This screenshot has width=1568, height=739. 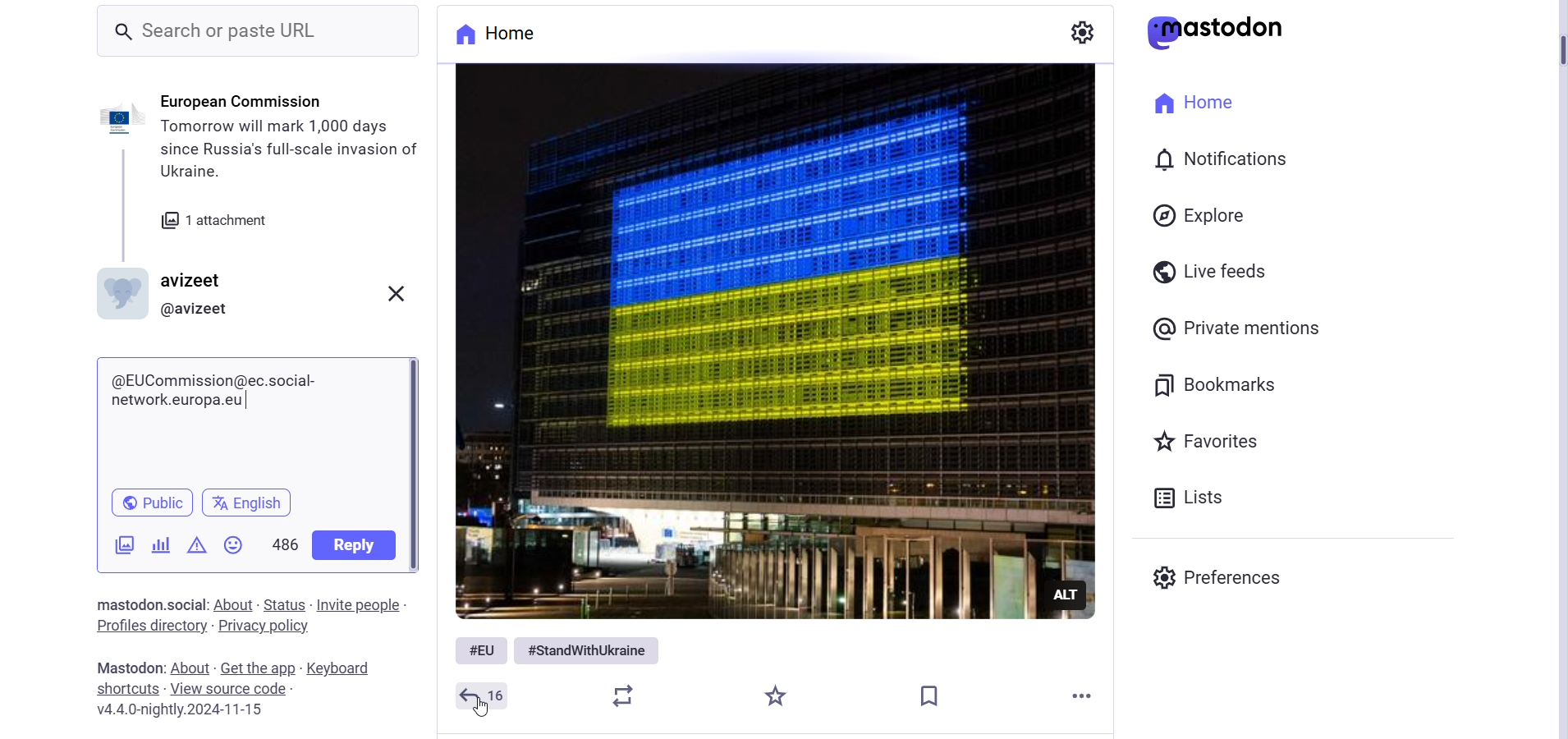 I want to click on Search, so click(x=260, y=32).